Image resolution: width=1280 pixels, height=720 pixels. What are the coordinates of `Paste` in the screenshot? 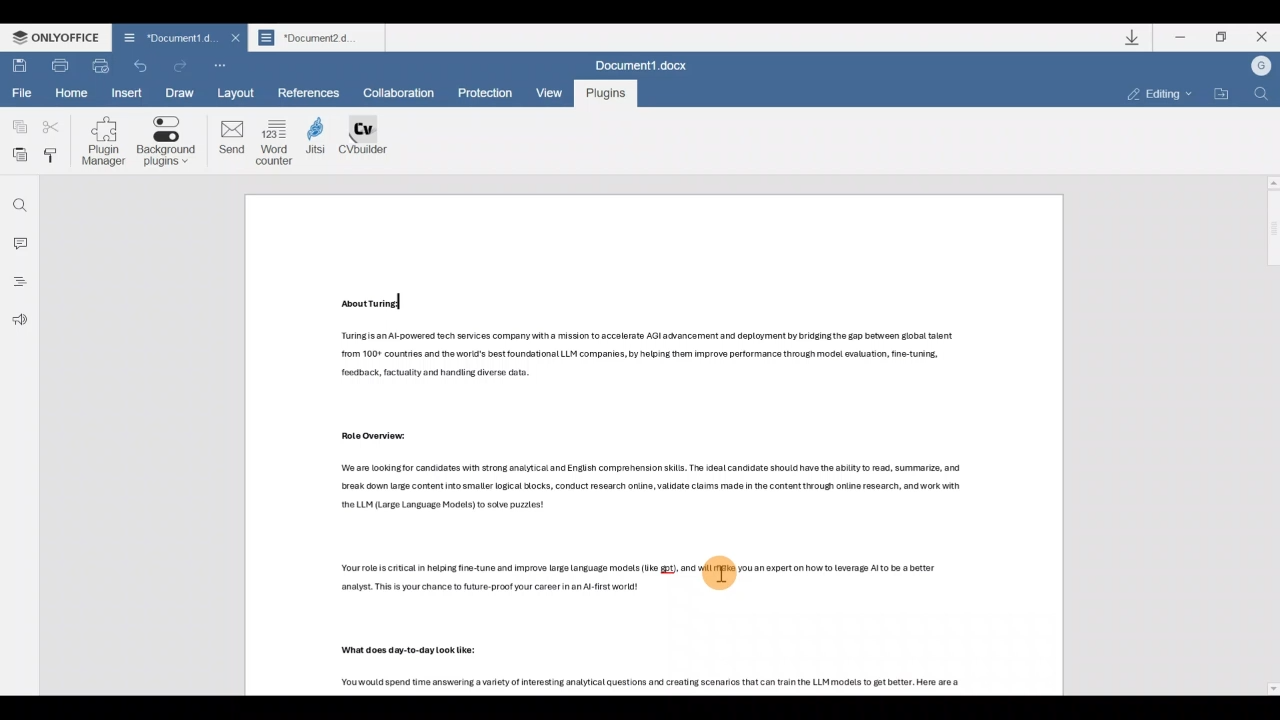 It's located at (17, 156).